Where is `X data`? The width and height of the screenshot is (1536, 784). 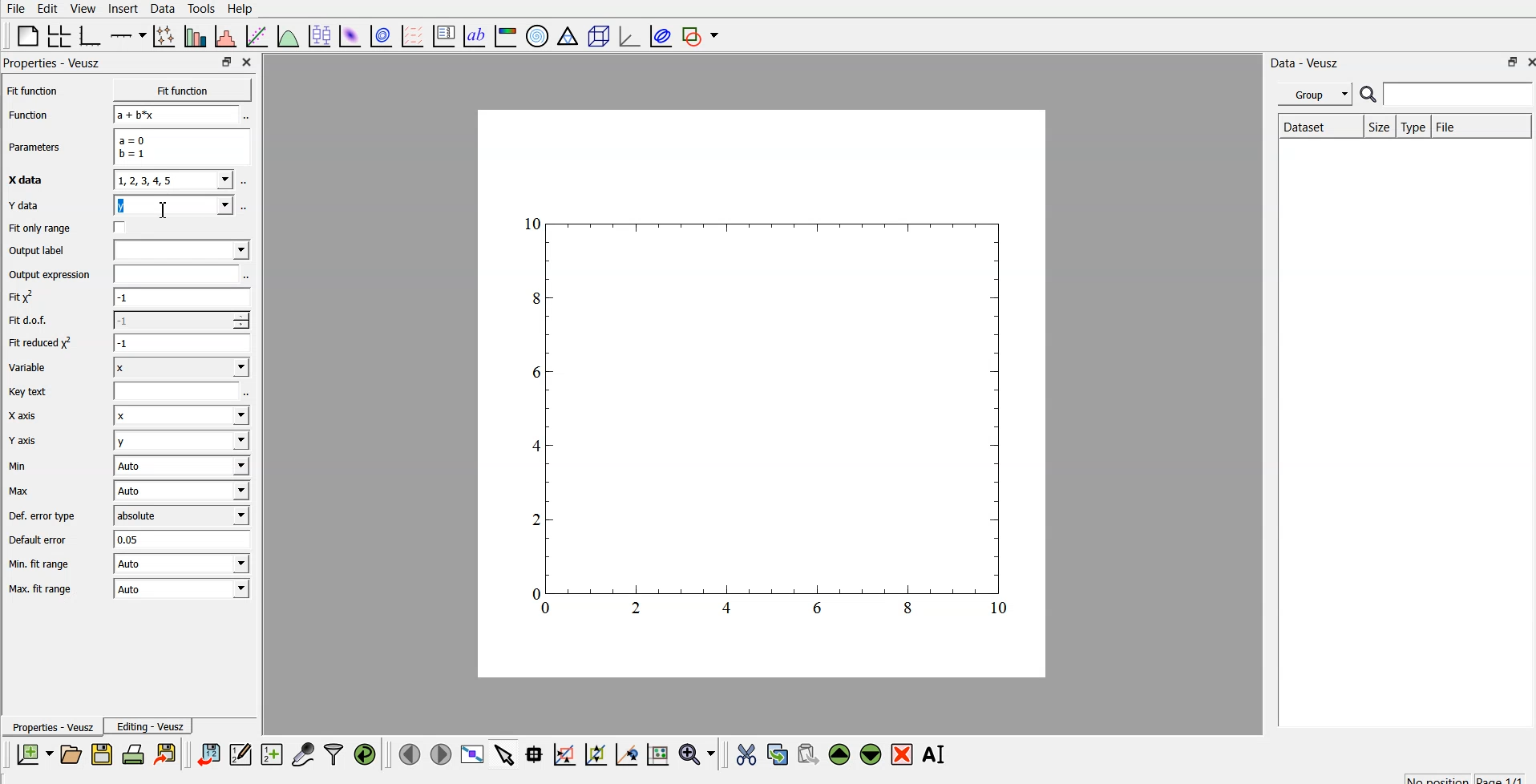 X data is located at coordinates (46, 180).